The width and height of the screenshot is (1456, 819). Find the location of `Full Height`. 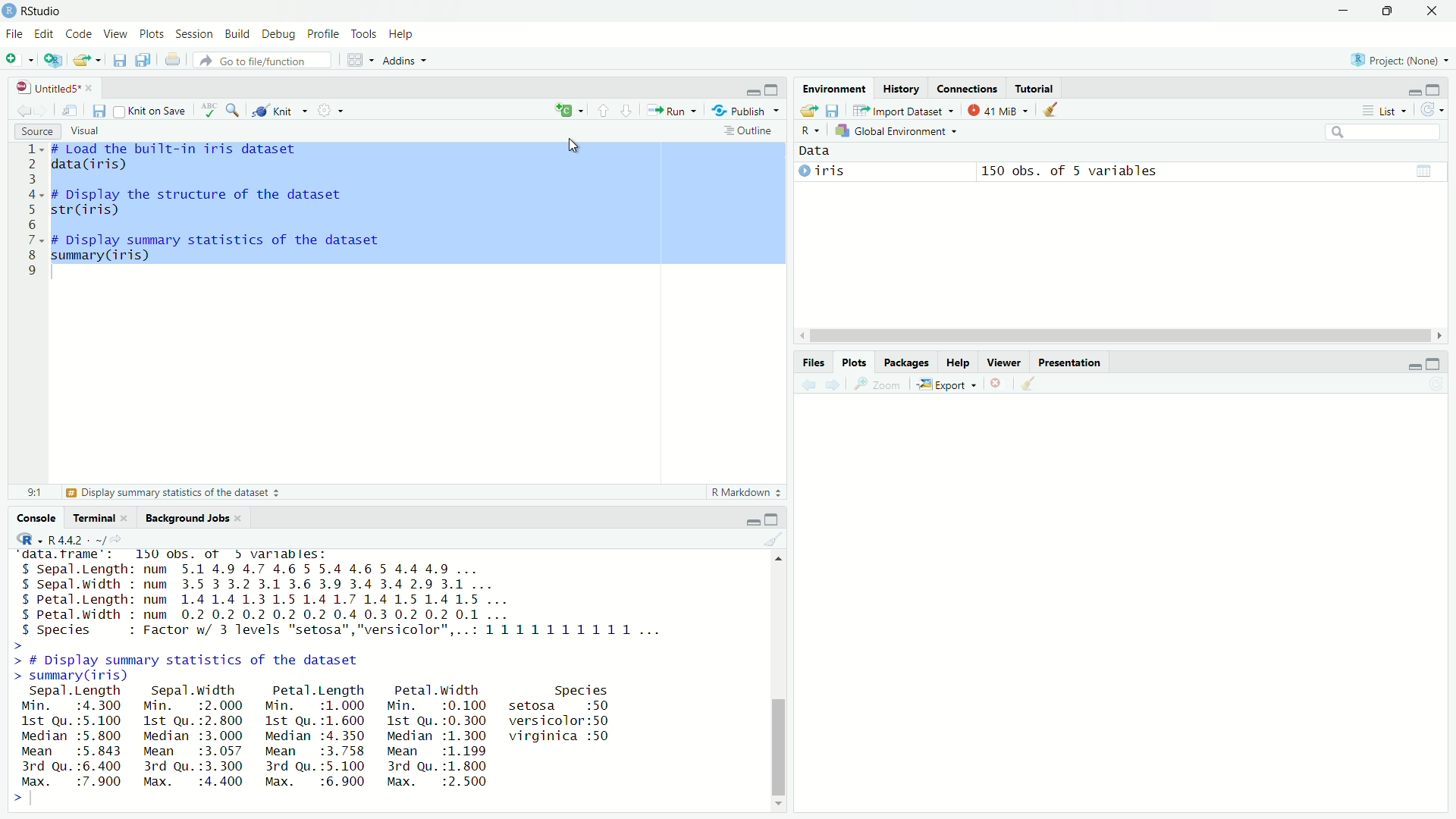

Full Height is located at coordinates (774, 519).